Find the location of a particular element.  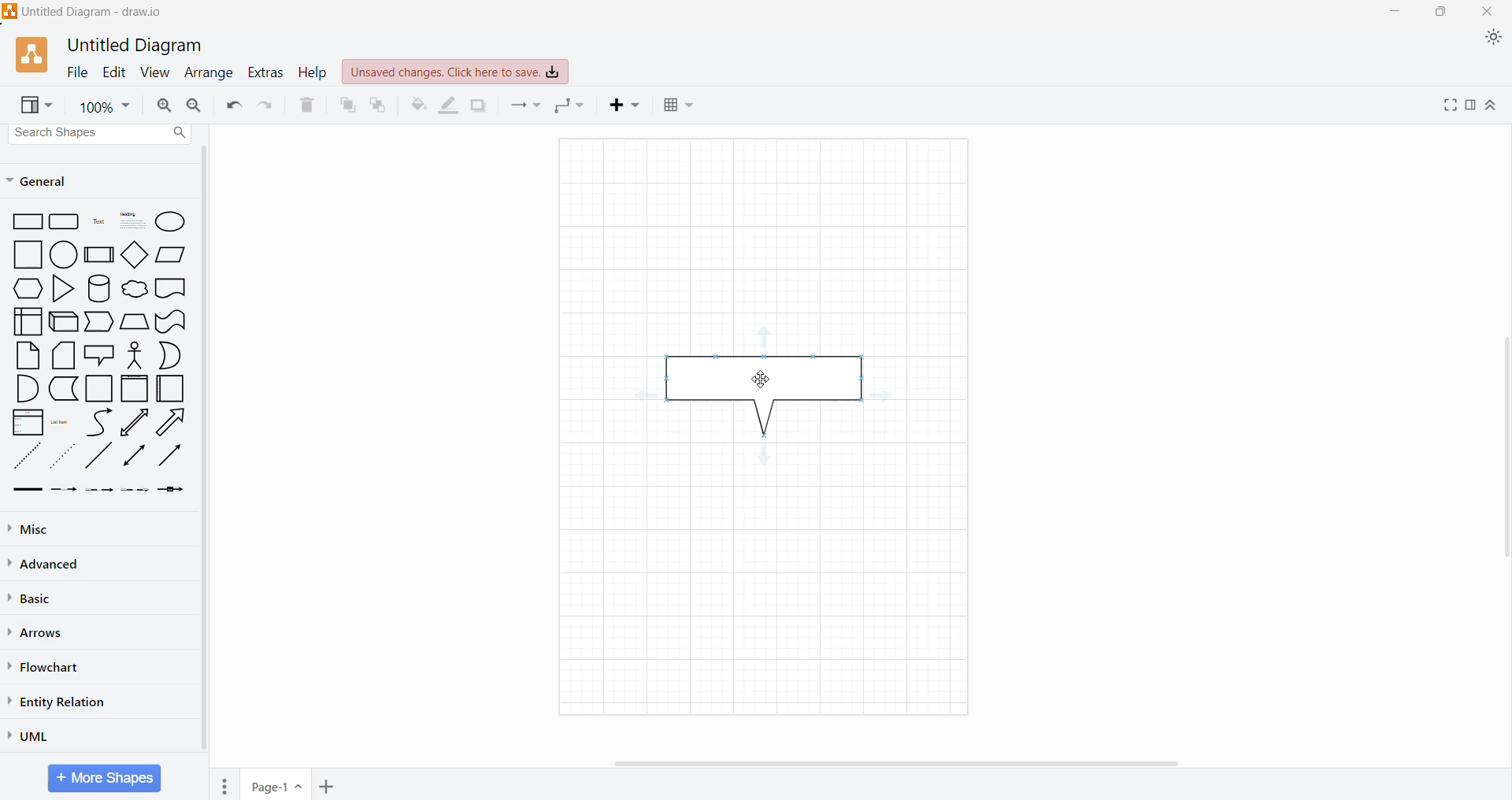

diagonal line is located at coordinates (100, 457).